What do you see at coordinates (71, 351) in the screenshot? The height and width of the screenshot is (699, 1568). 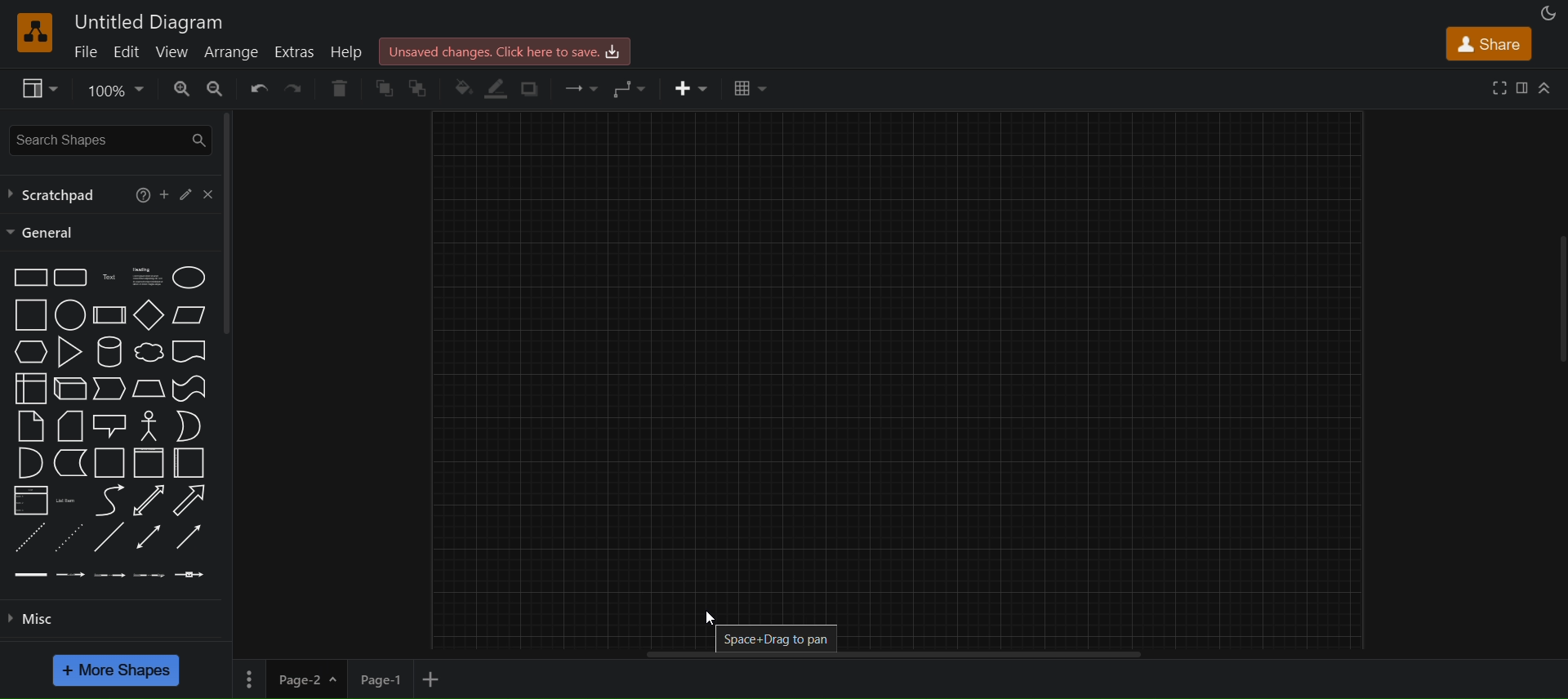 I see `triangle` at bounding box center [71, 351].